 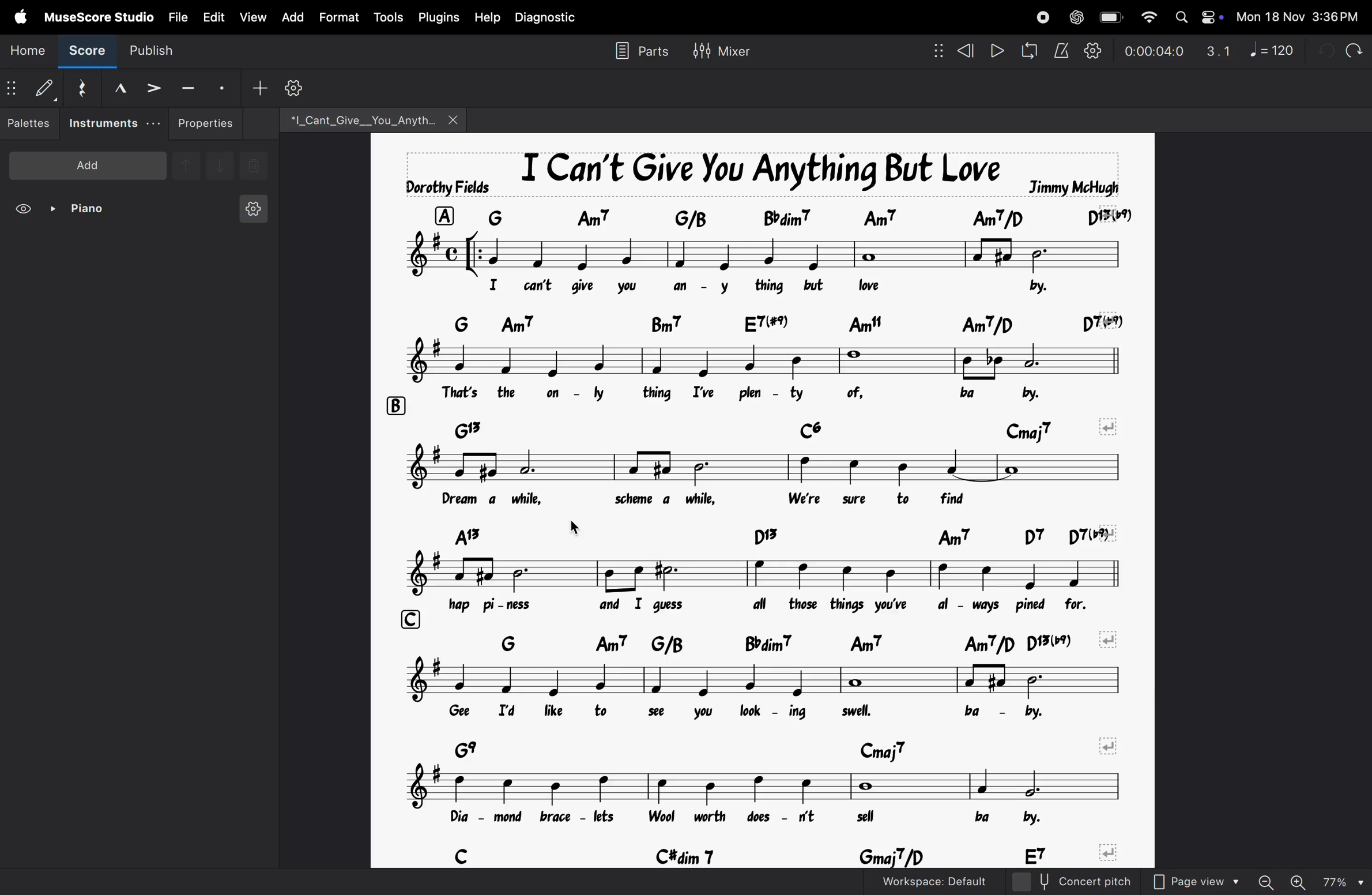 I want to click on notes, so click(x=774, y=681).